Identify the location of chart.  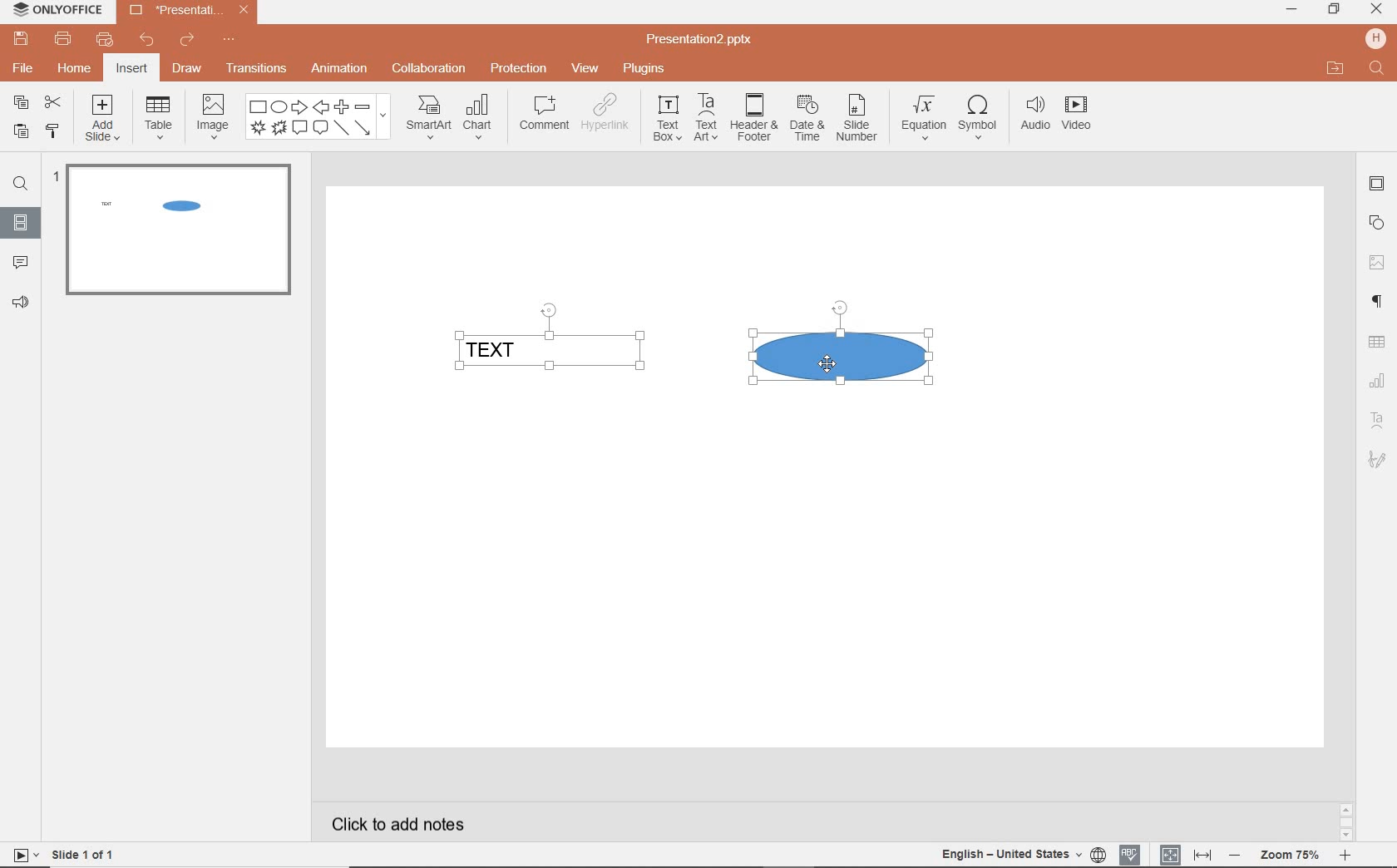
(481, 116).